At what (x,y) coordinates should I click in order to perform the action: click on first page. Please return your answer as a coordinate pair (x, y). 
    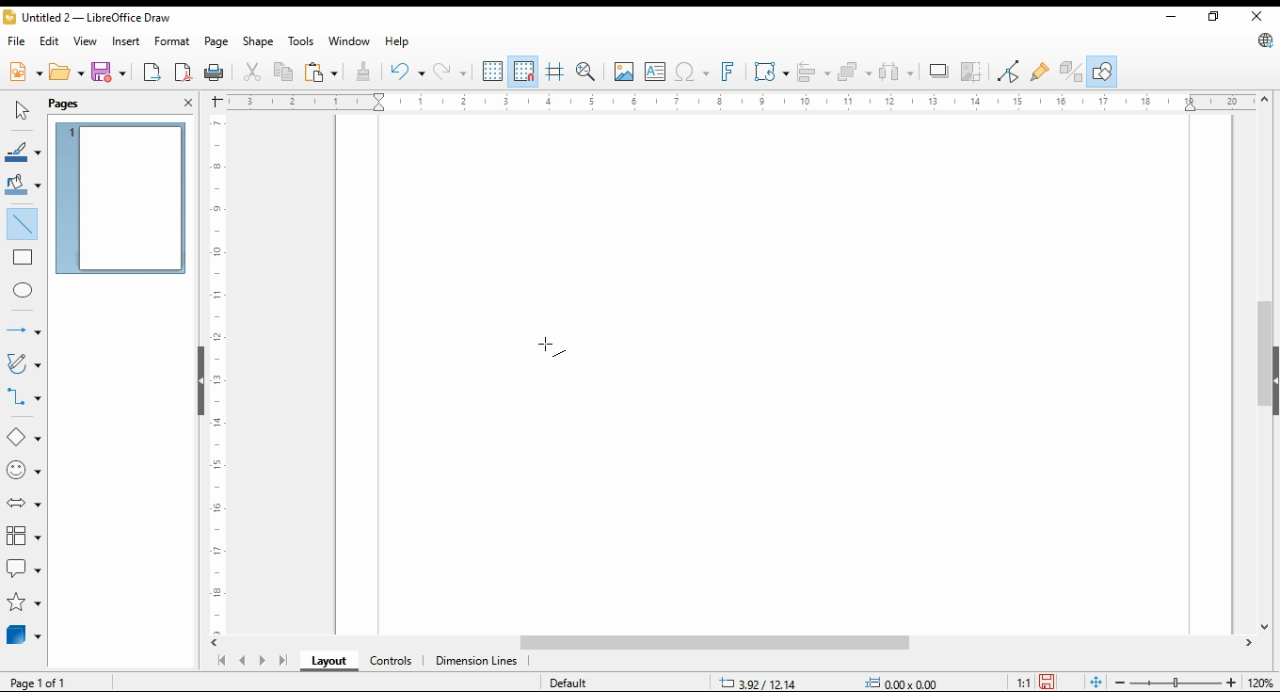
    Looking at the image, I should click on (220, 661).